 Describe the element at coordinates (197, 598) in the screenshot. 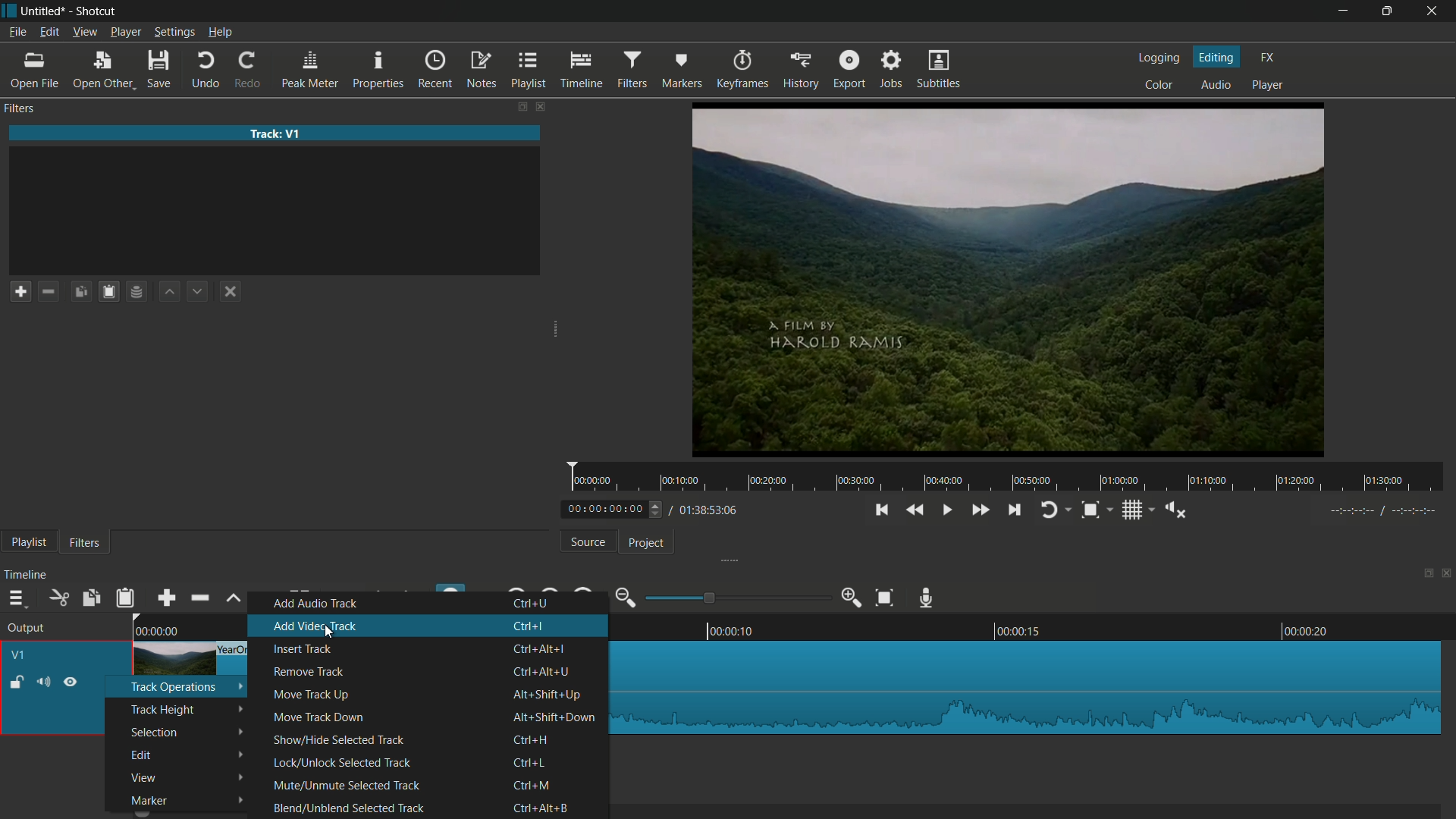

I see `ripple delete` at that location.